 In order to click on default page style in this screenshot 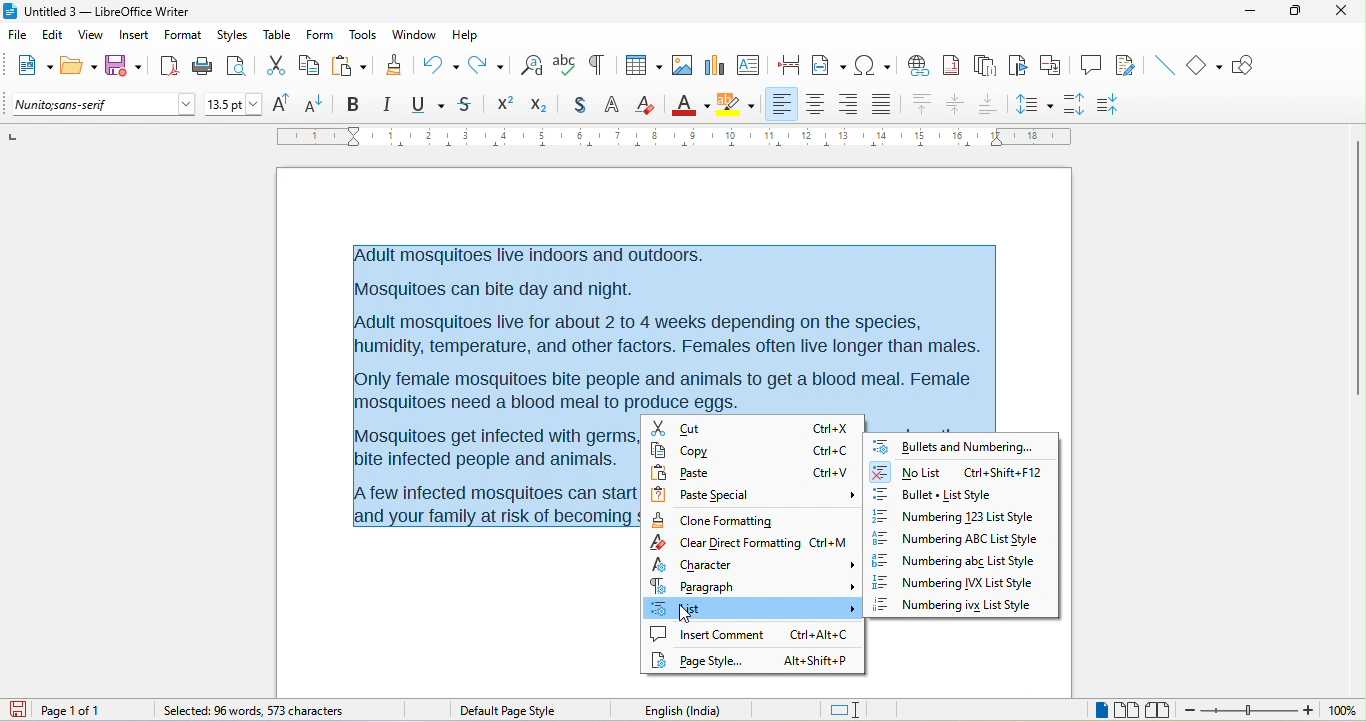, I will do `click(509, 710)`.